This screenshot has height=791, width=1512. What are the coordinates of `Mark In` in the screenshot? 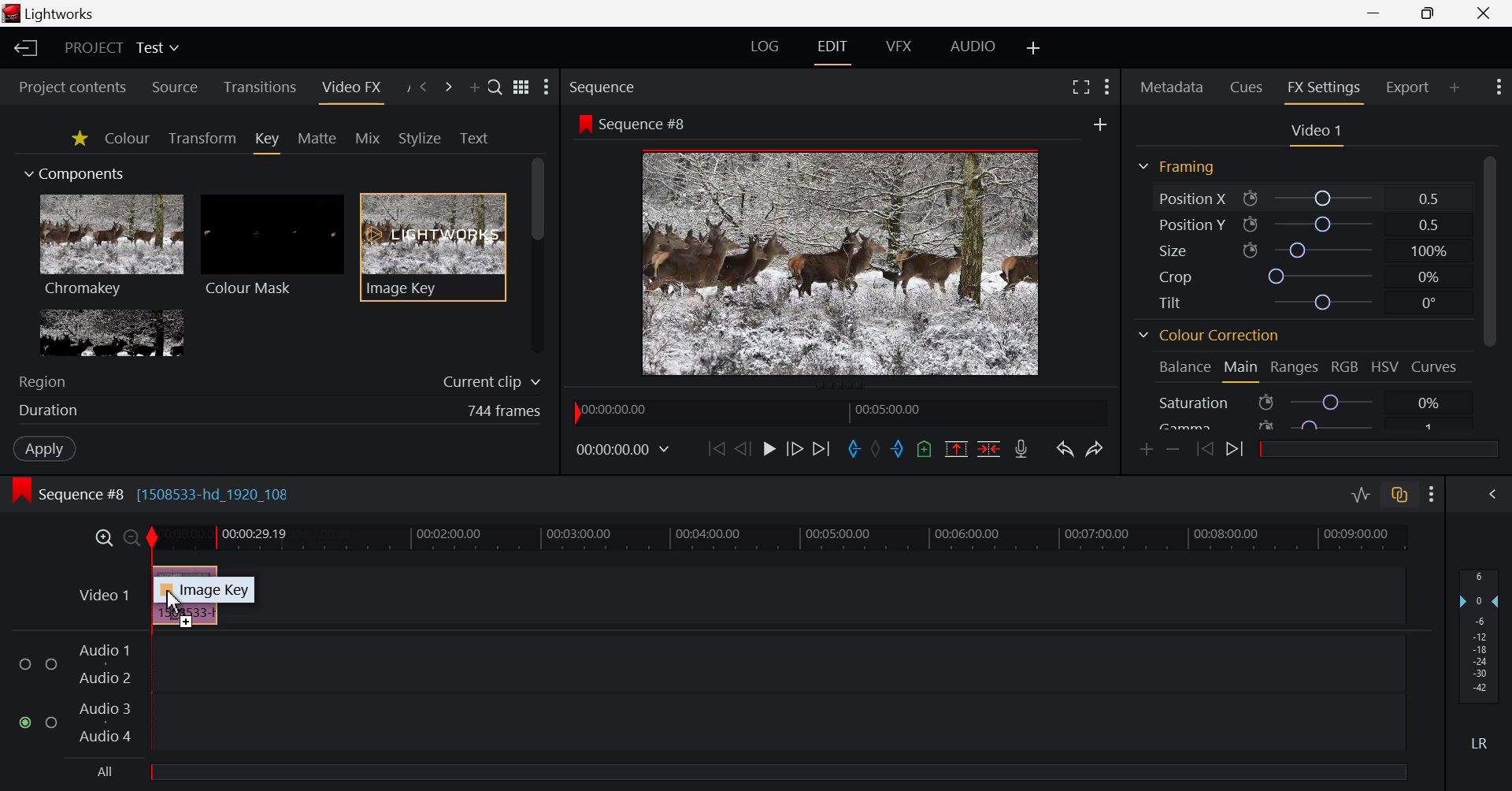 It's located at (855, 451).